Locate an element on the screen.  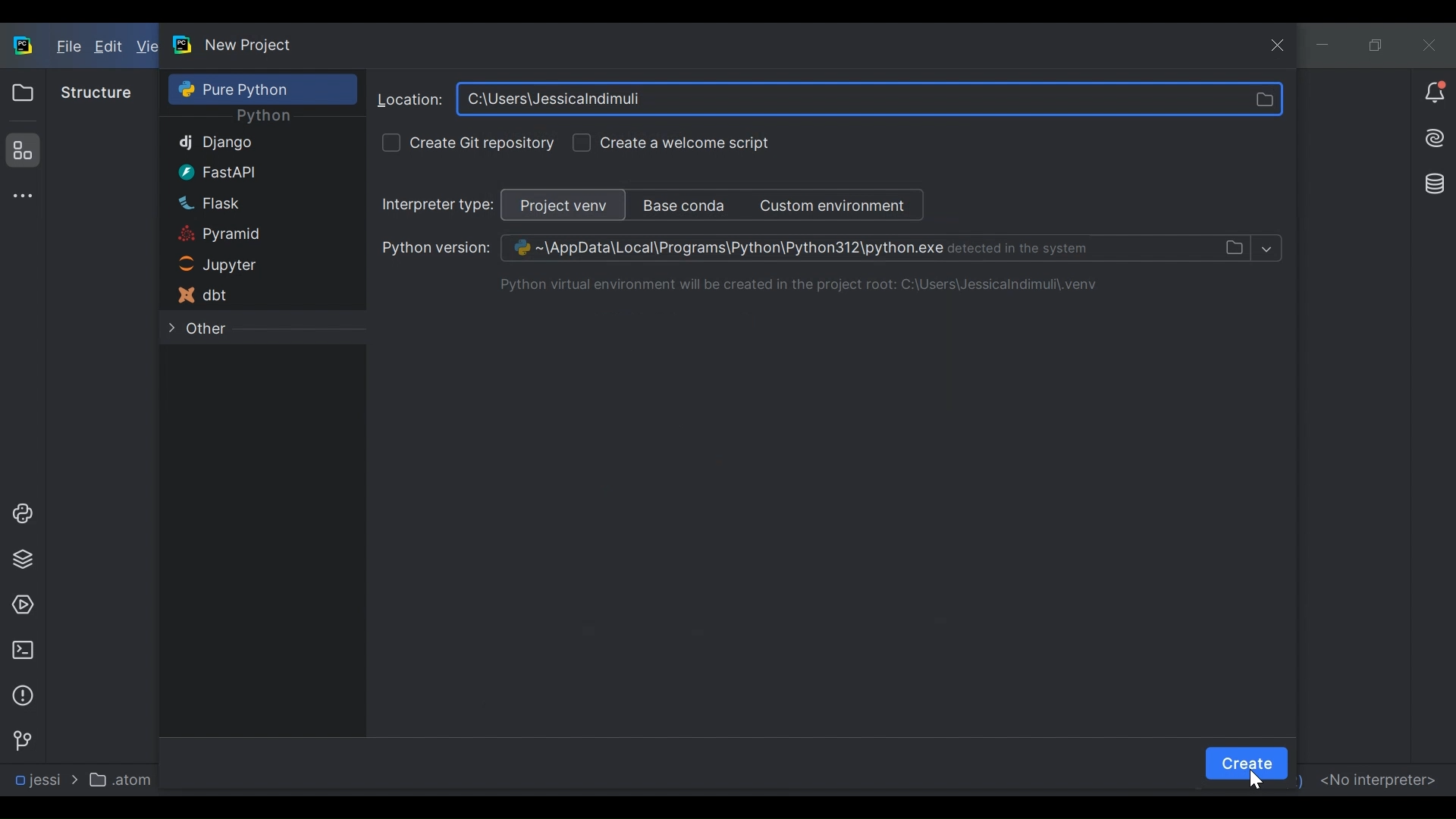
Python is located at coordinates (263, 117).